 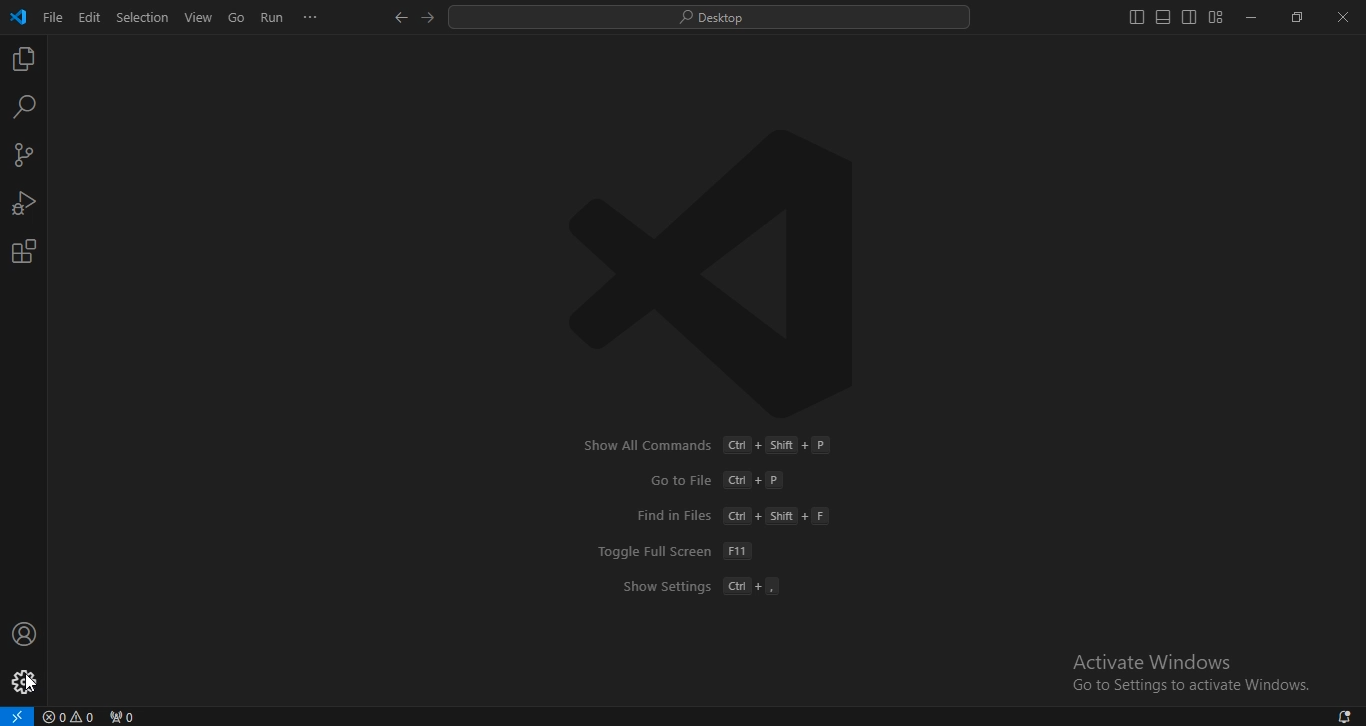 I want to click on text, so click(x=708, y=445).